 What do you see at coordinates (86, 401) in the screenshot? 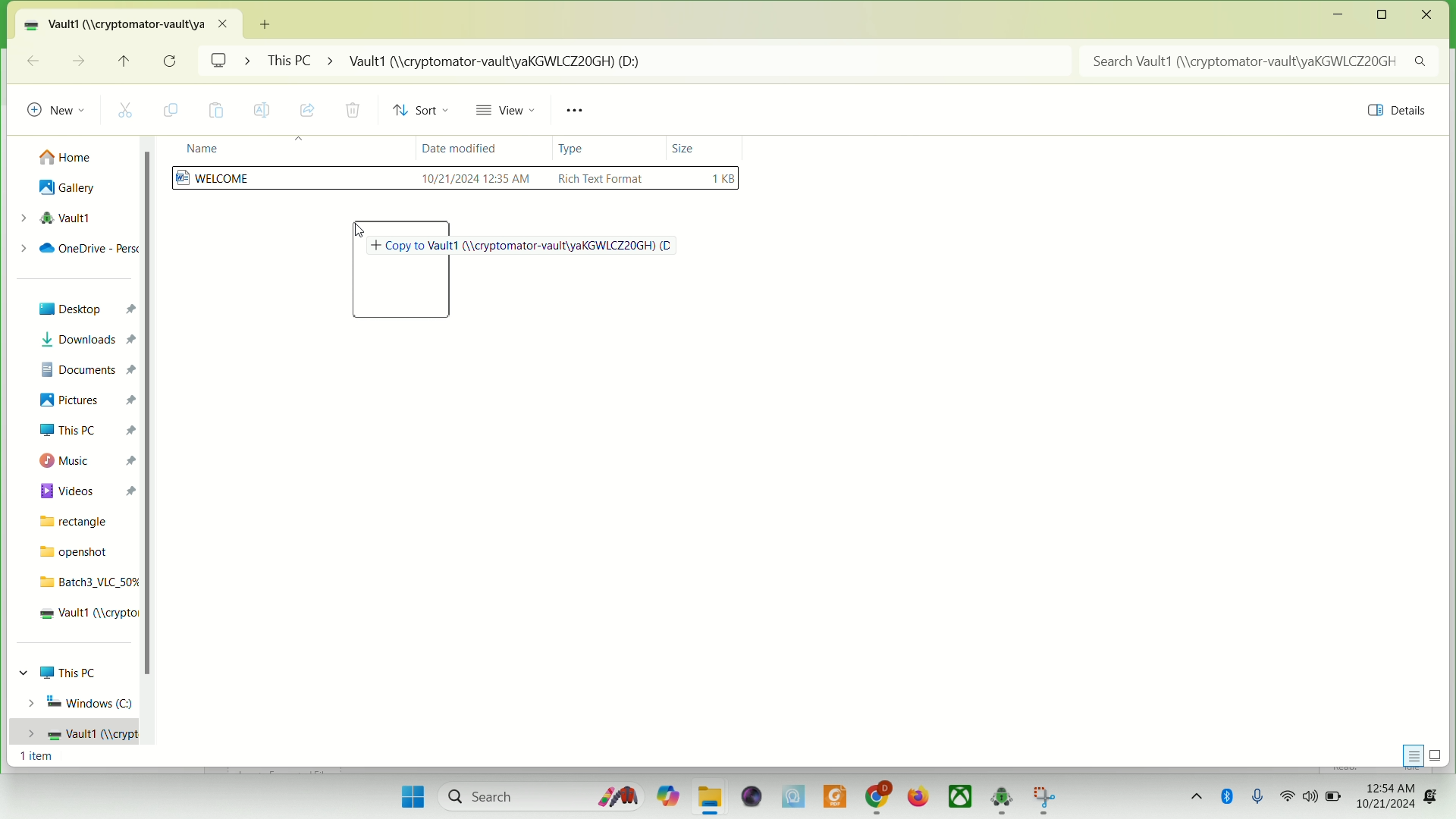
I see `pictures` at bounding box center [86, 401].